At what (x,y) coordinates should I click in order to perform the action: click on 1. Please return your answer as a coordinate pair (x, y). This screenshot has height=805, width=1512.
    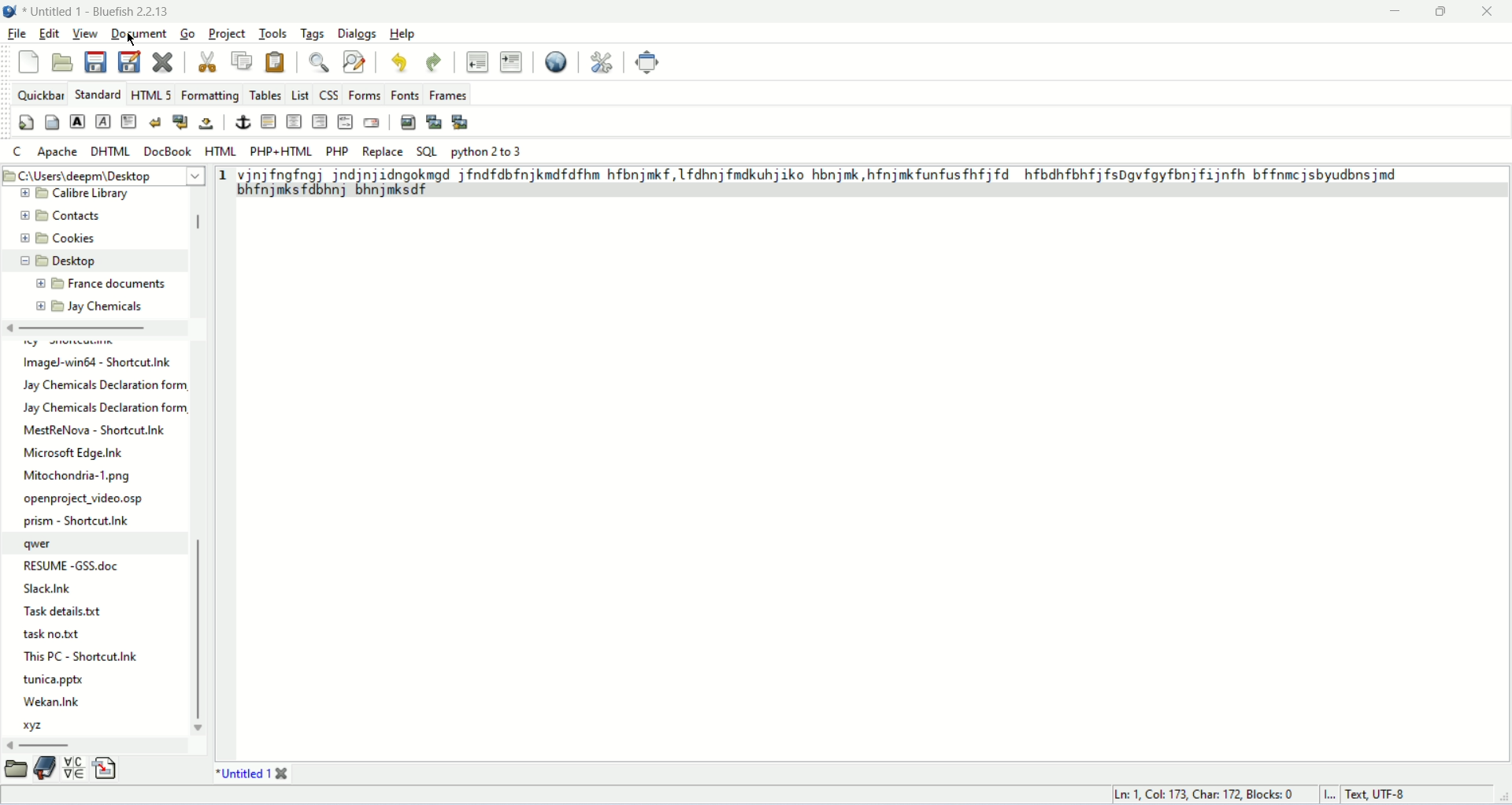
    Looking at the image, I should click on (222, 177).